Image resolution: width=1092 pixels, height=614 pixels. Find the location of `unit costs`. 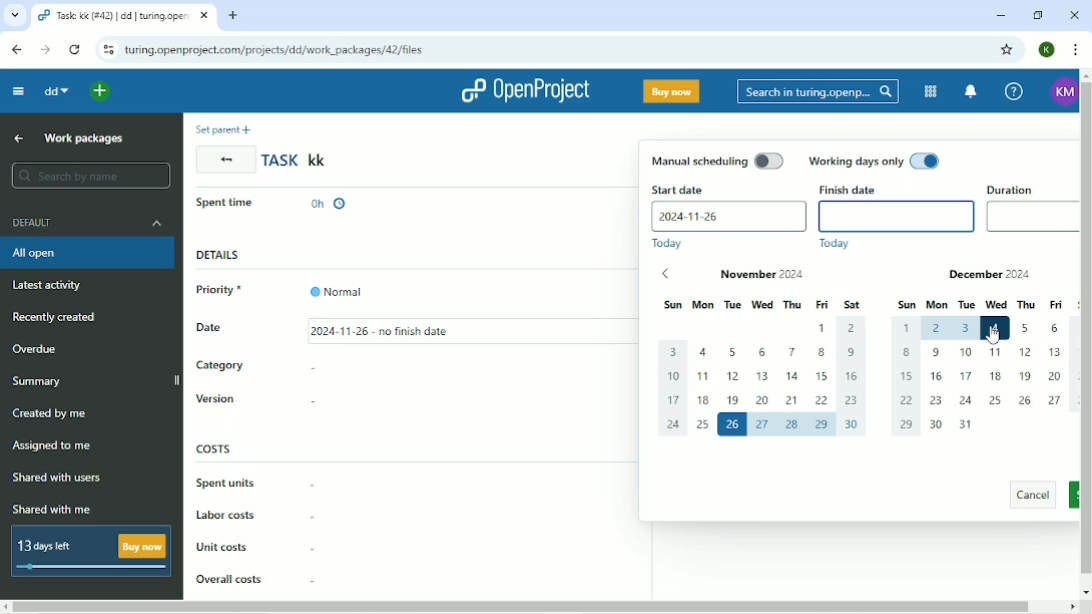

unit costs is located at coordinates (255, 547).